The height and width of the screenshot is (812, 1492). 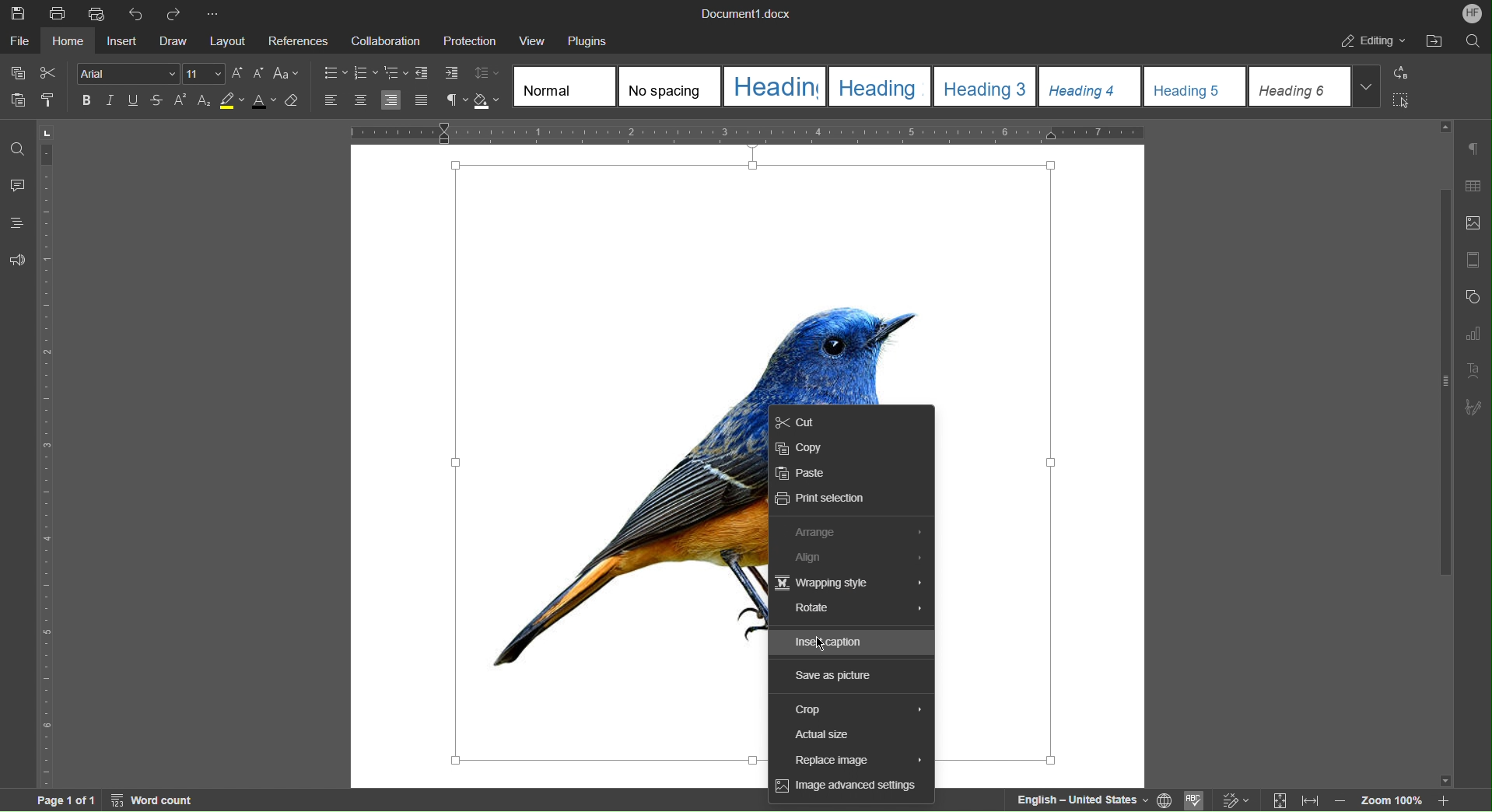 I want to click on Spell Checking, so click(x=1197, y=799).